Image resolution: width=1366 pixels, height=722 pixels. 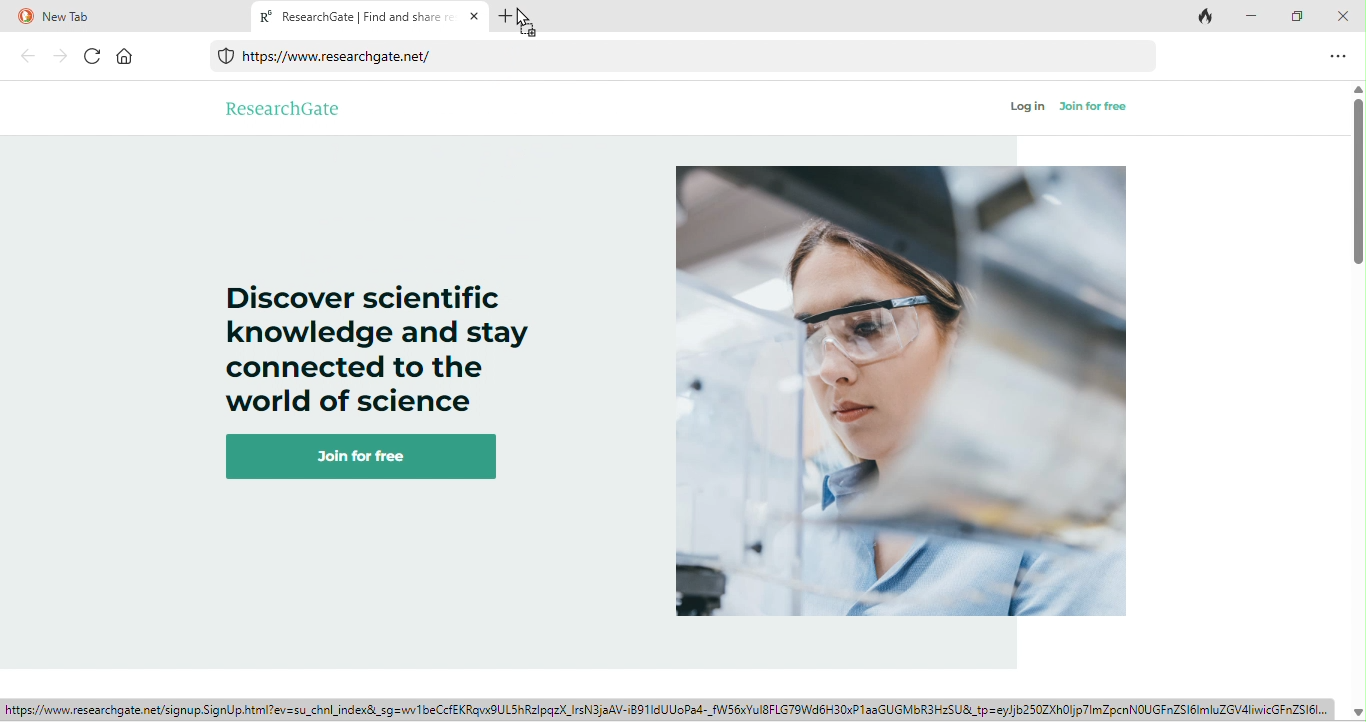 What do you see at coordinates (1256, 16) in the screenshot?
I see `minimize` at bounding box center [1256, 16].